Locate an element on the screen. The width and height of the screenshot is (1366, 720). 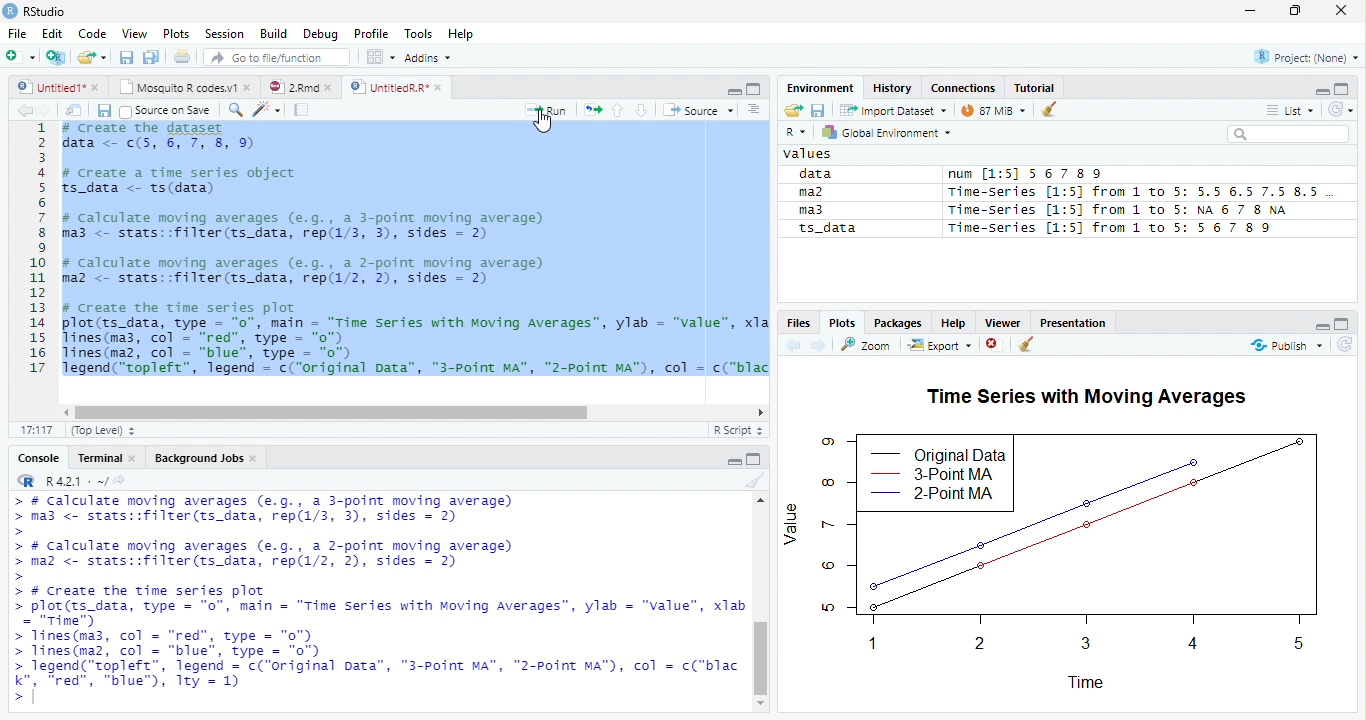
2Rmd is located at coordinates (291, 87).